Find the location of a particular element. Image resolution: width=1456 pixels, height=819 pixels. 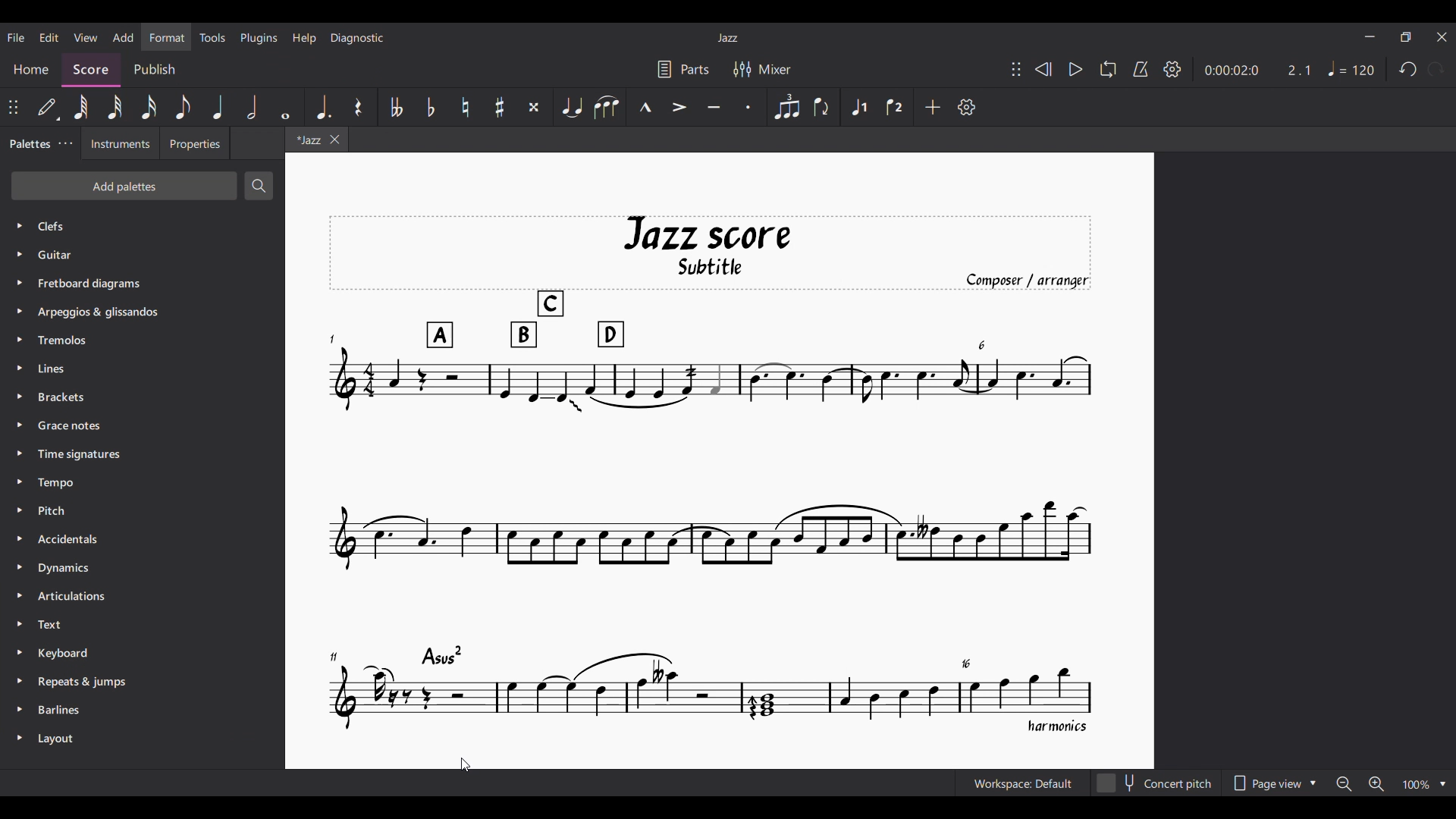

Mixer settings is located at coordinates (761, 68).